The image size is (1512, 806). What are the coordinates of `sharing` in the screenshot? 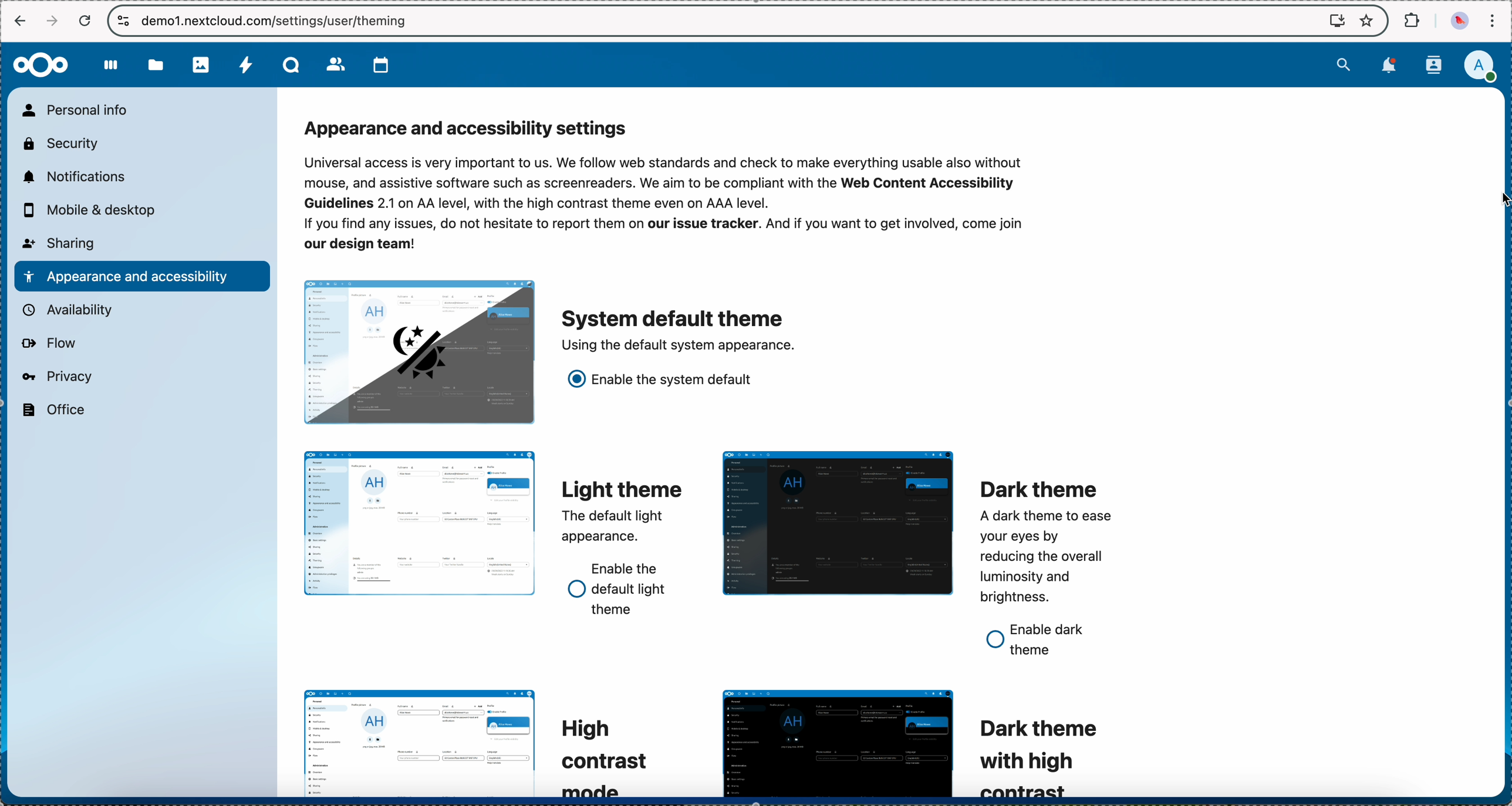 It's located at (61, 243).